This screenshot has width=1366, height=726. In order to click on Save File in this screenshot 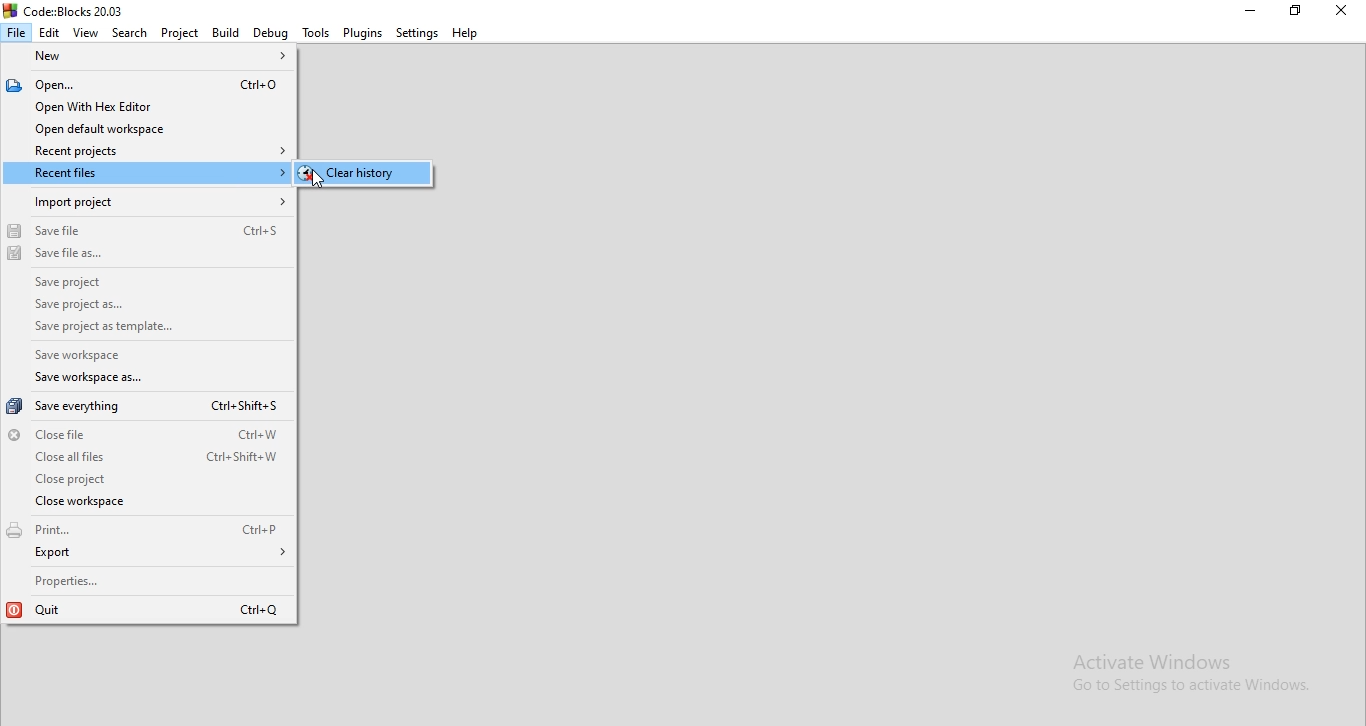, I will do `click(149, 230)`.